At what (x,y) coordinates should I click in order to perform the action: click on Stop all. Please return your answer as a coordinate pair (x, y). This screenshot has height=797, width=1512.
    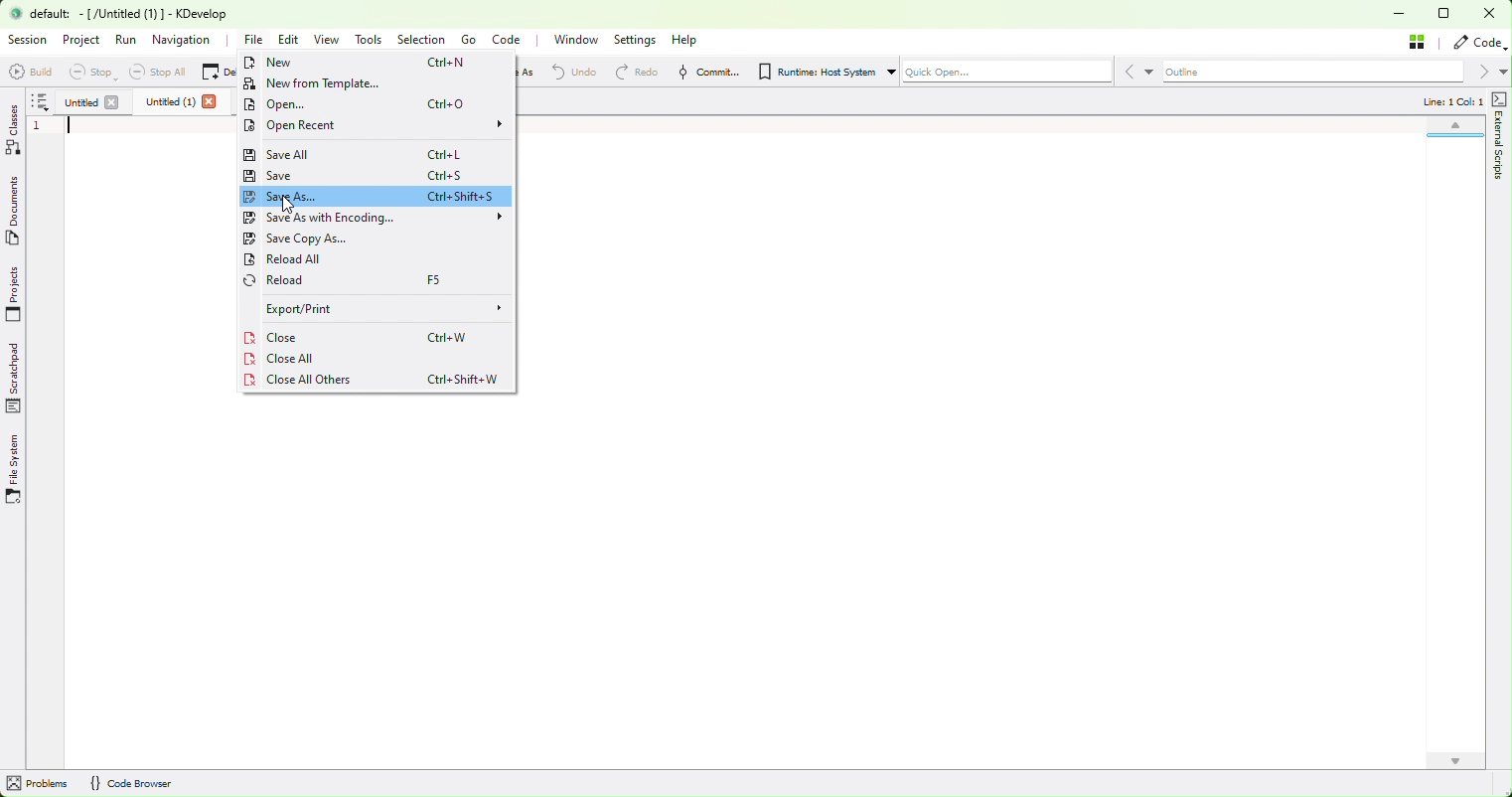
    Looking at the image, I should click on (165, 73).